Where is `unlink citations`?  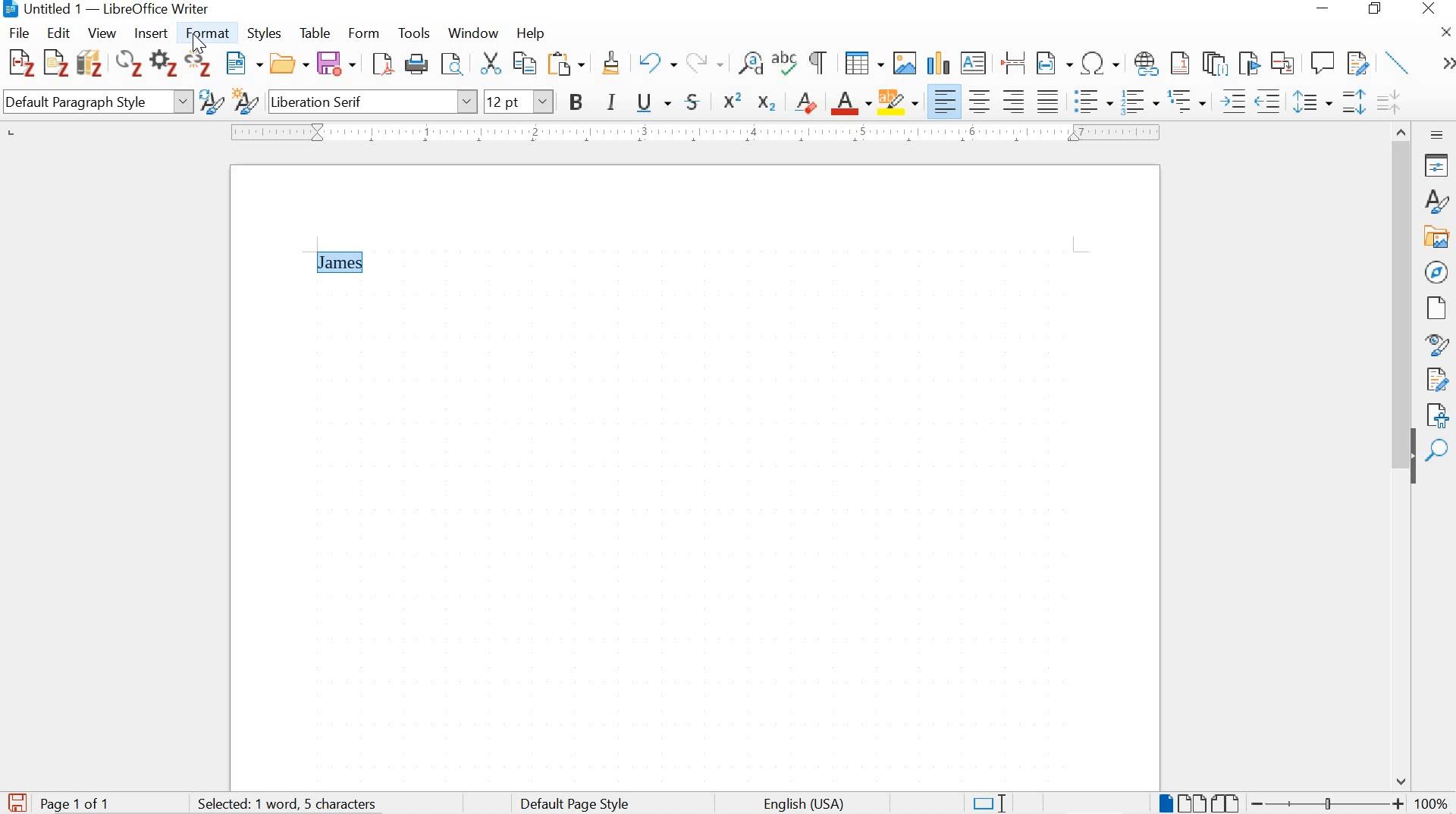
unlink citations is located at coordinates (199, 66).